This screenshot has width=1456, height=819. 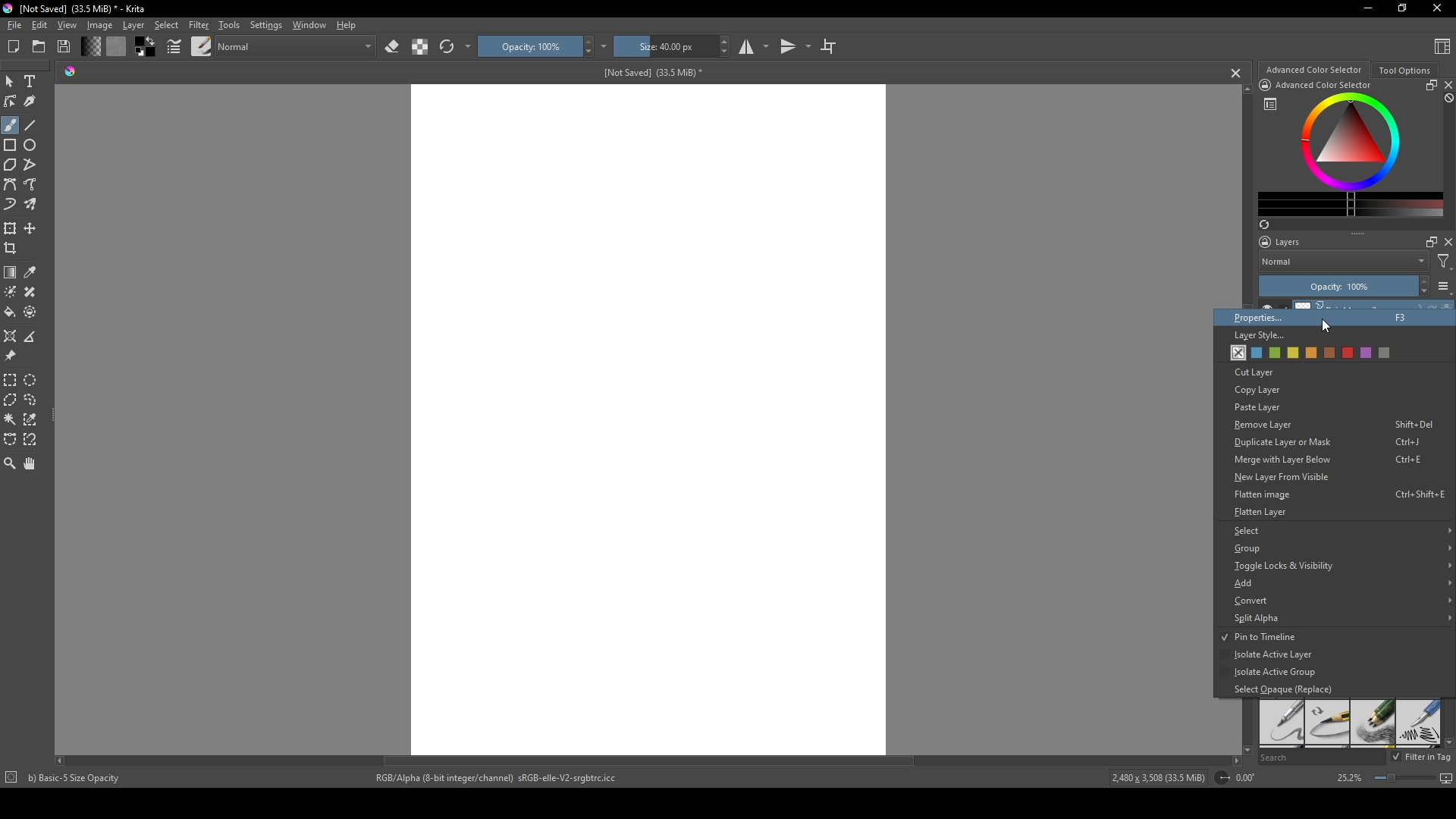 What do you see at coordinates (10, 125) in the screenshot?
I see `brush` at bounding box center [10, 125].